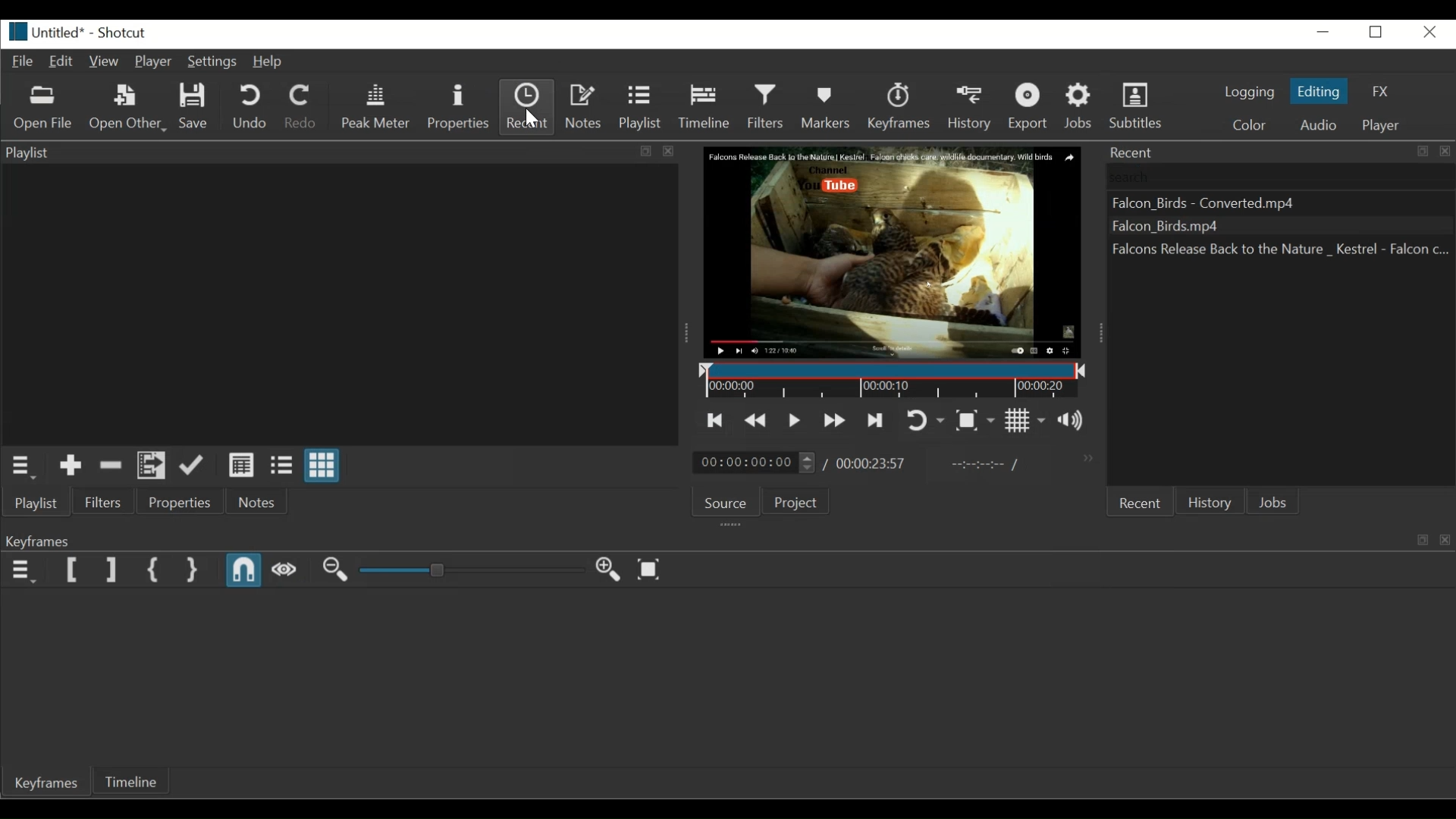 The height and width of the screenshot is (819, 1456). I want to click on History, so click(1208, 502).